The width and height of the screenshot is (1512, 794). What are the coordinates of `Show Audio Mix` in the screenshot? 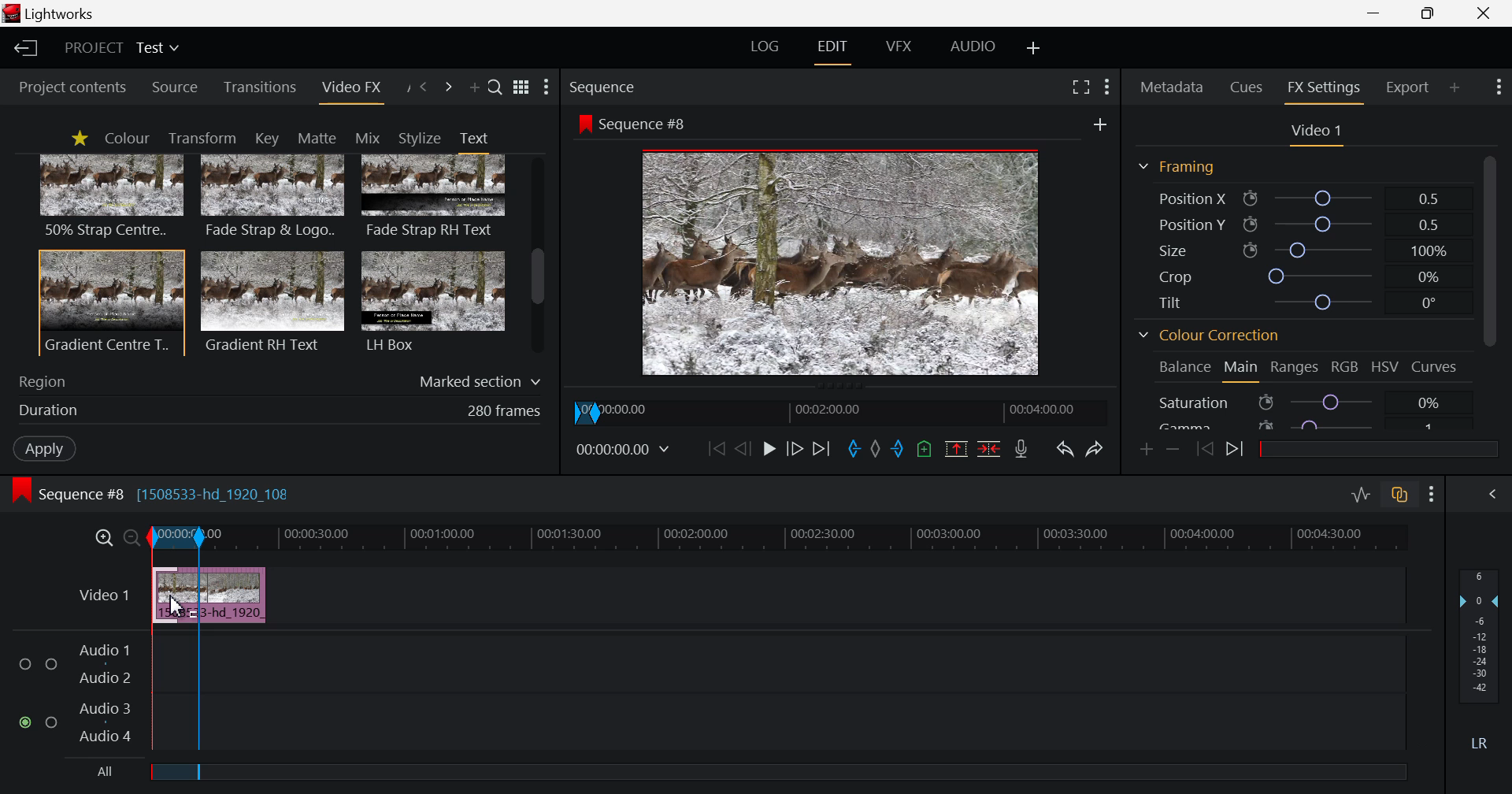 It's located at (1496, 495).